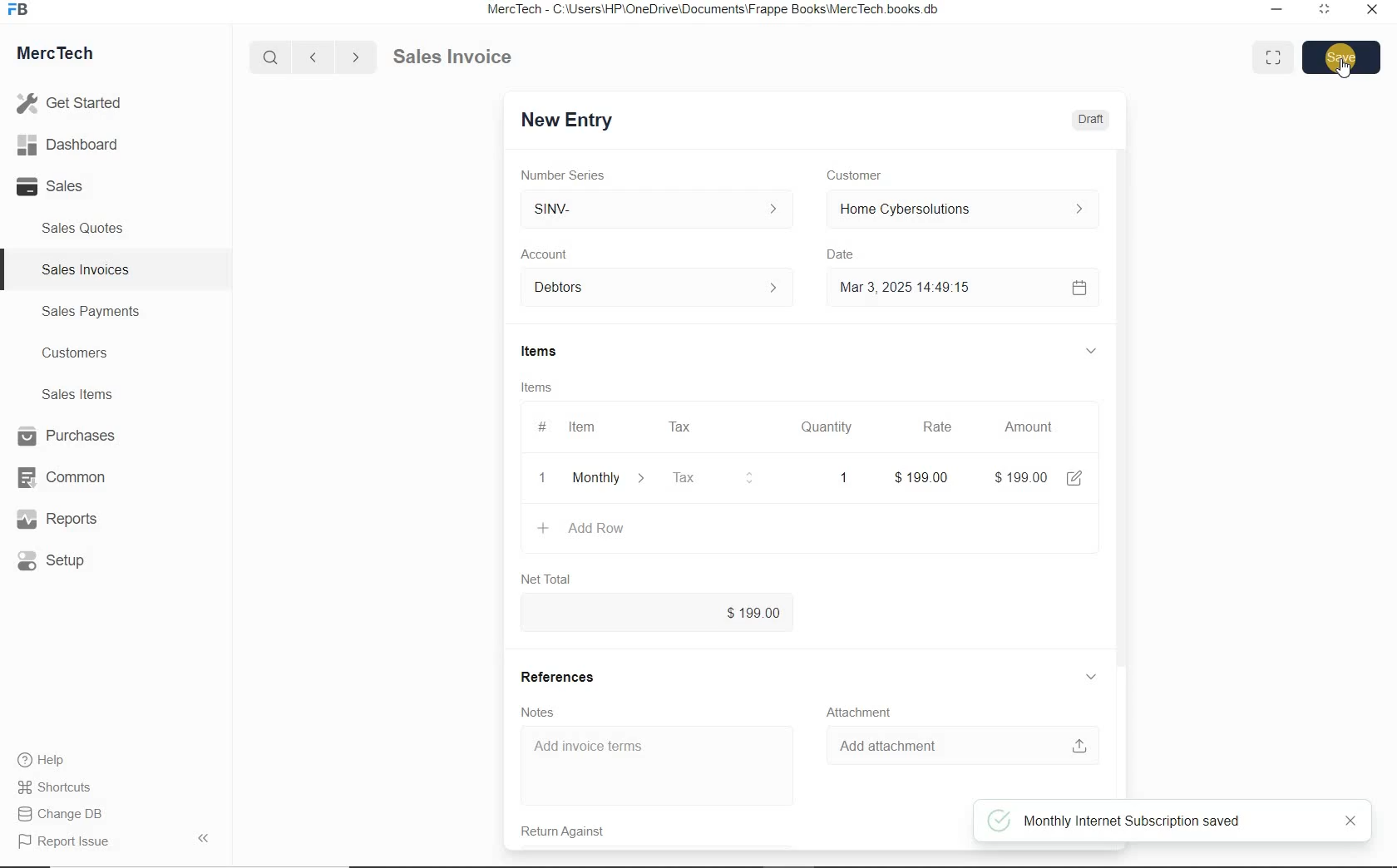 The width and height of the screenshot is (1397, 868). Describe the element at coordinates (543, 526) in the screenshot. I see `plus` at that location.